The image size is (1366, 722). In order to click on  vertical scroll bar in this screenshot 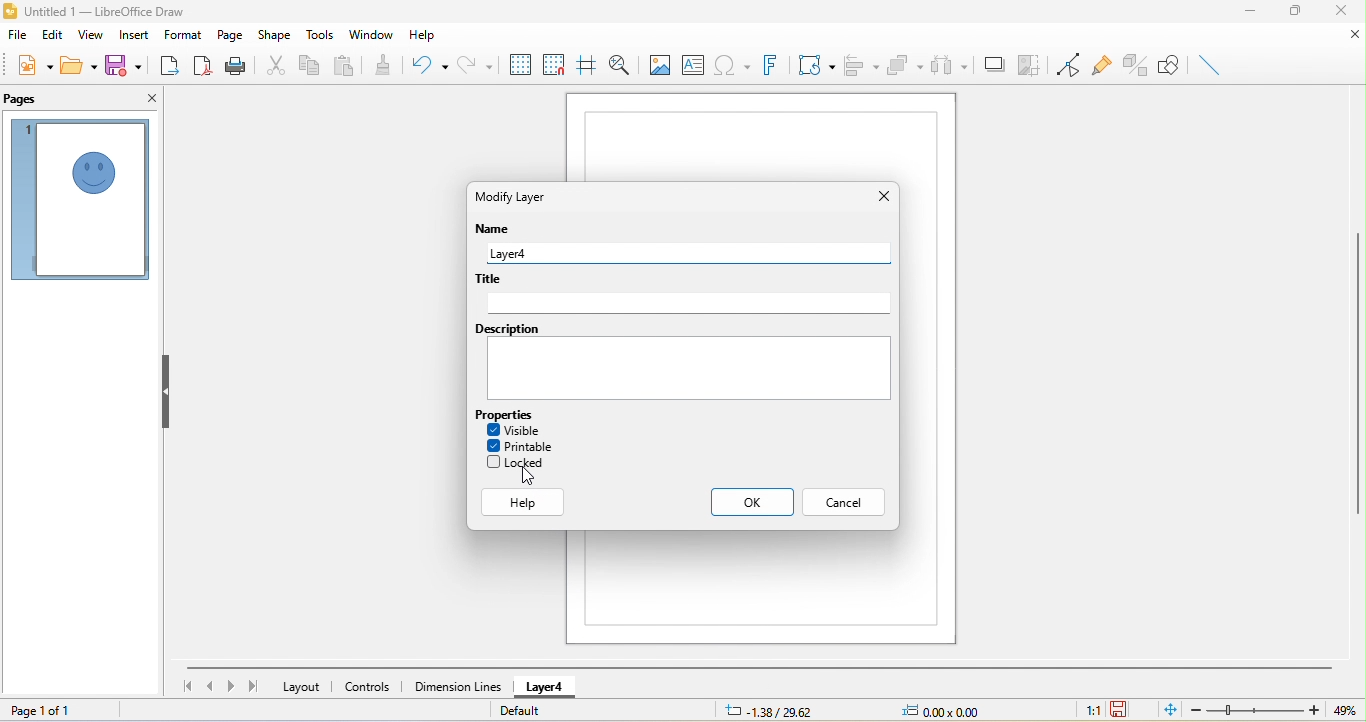, I will do `click(1357, 371)`.